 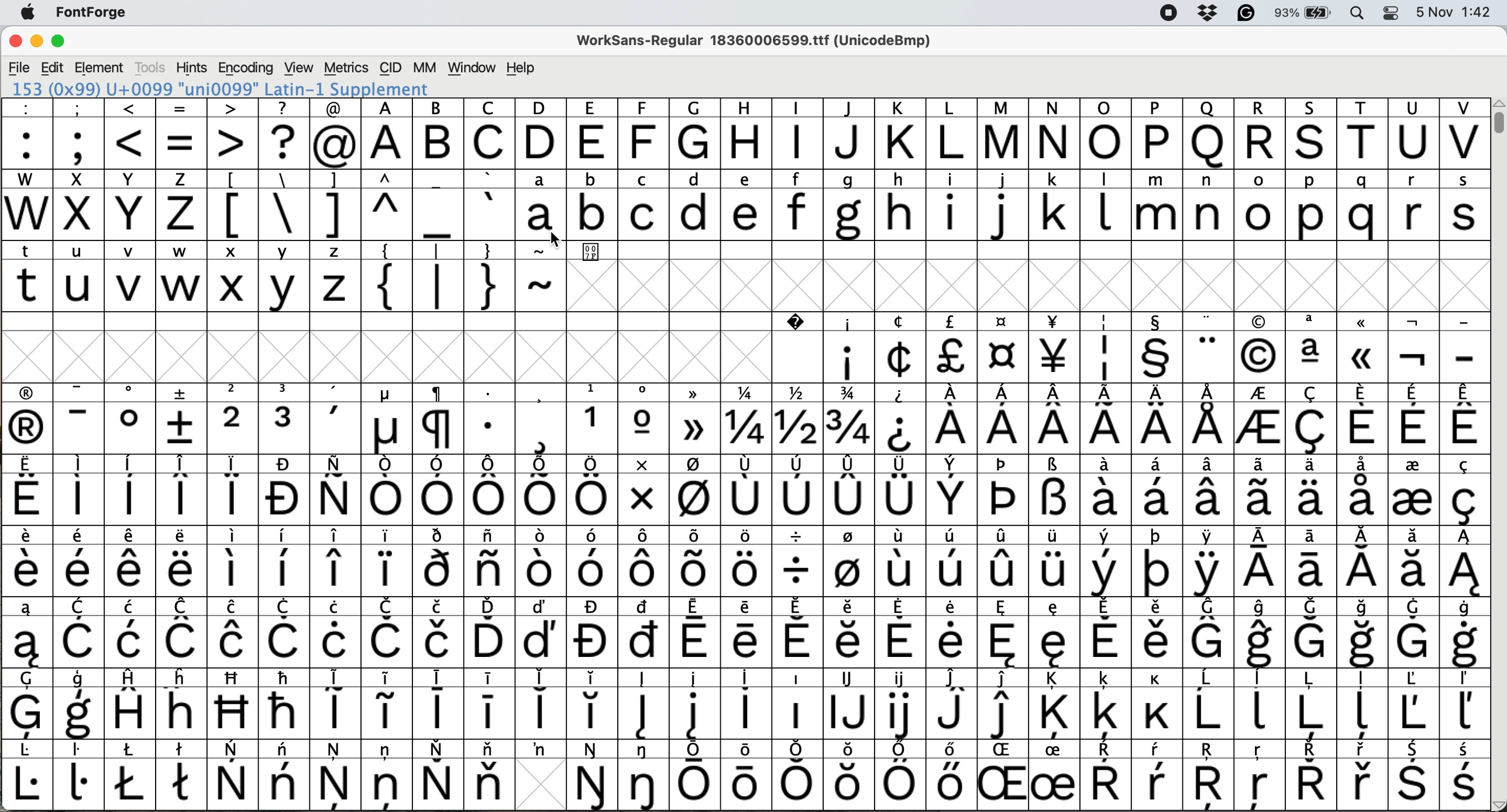 What do you see at coordinates (754, 41) in the screenshot?
I see `WorkSans-Regular 18360006599.ttf (UnicodeBmp)` at bounding box center [754, 41].